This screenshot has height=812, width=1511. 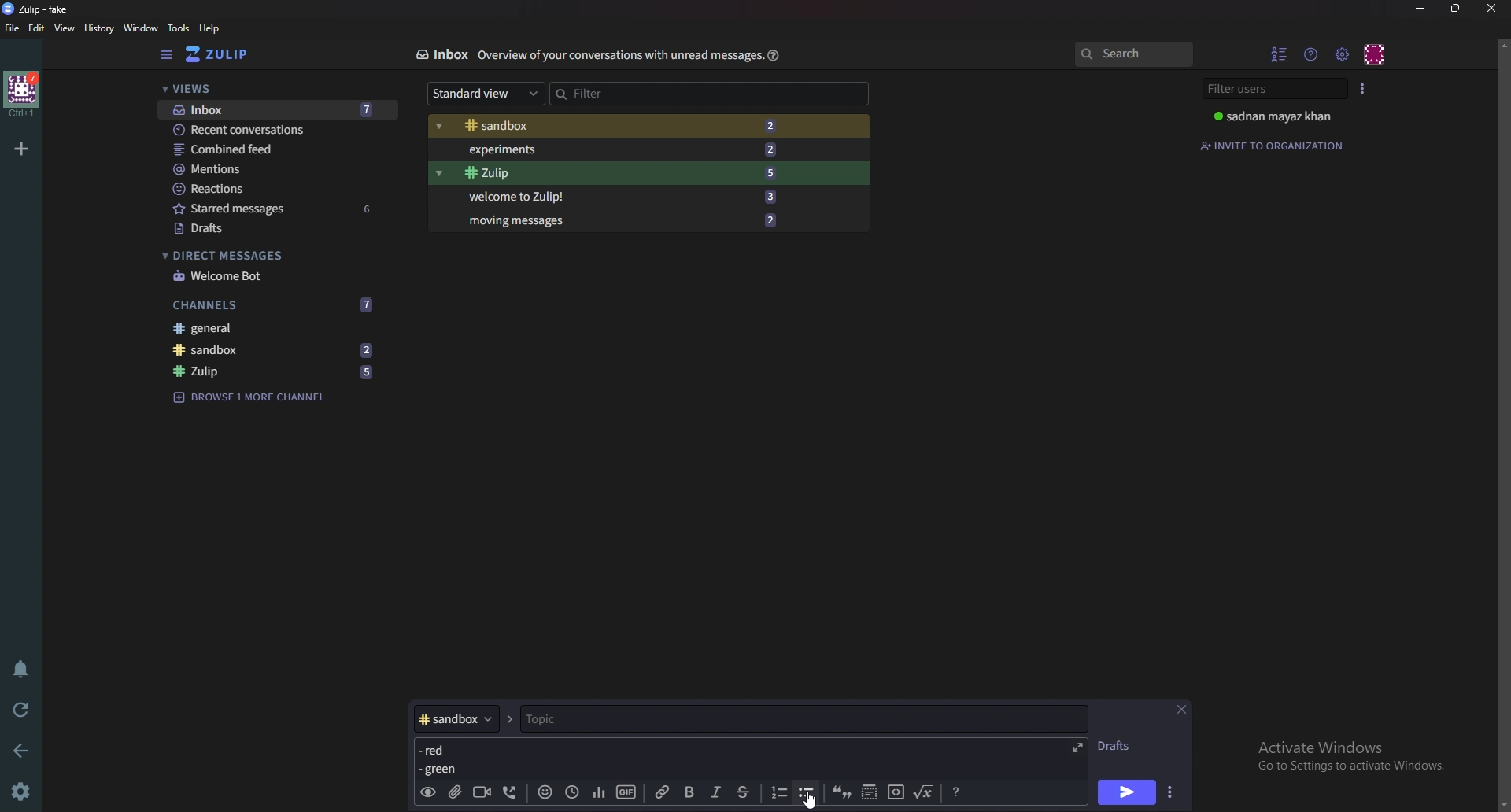 What do you see at coordinates (168, 54) in the screenshot?
I see `Hide sidebar` at bounding box center [168, 54].